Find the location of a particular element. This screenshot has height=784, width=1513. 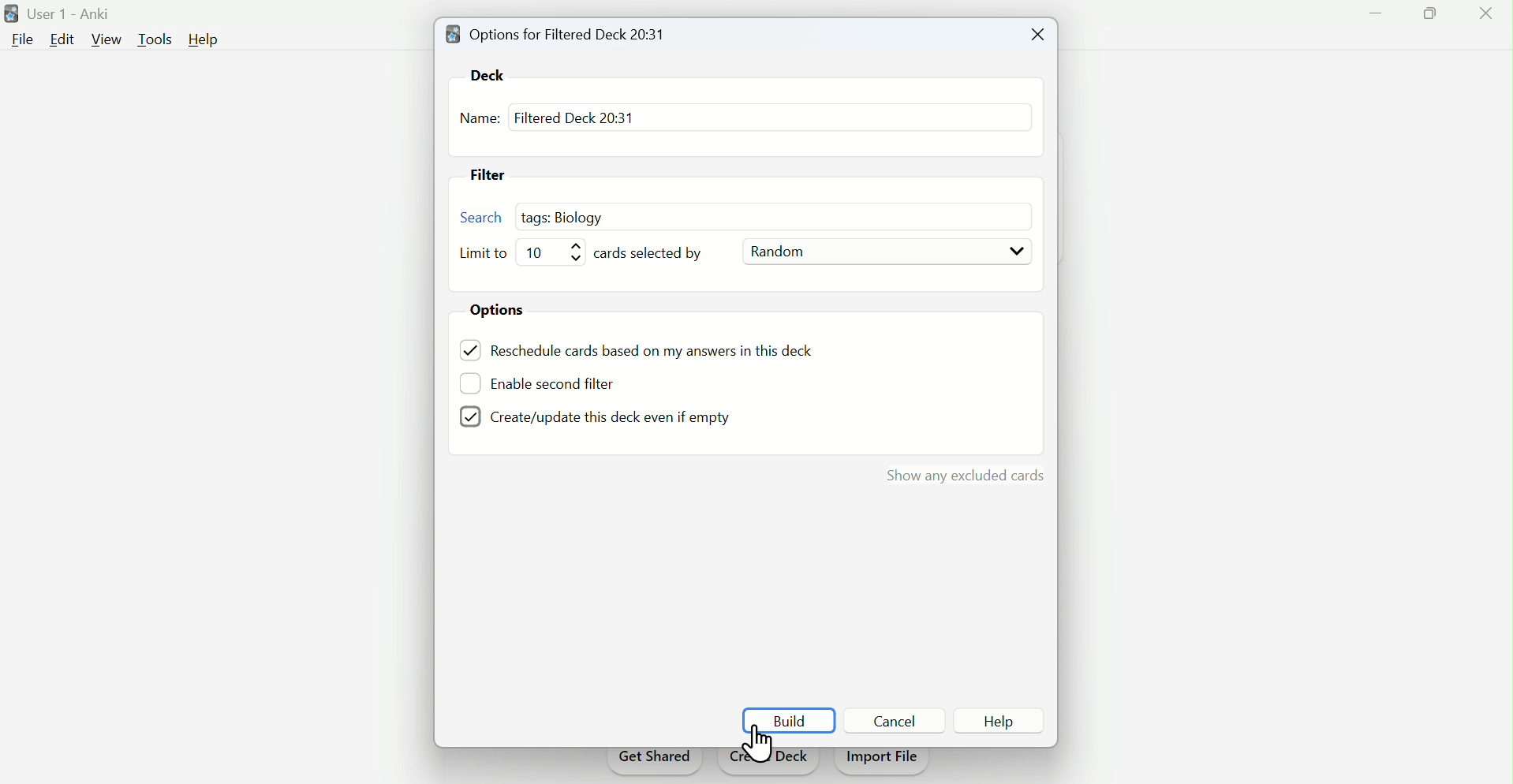

 build Build is located at coordinates (789, 718).